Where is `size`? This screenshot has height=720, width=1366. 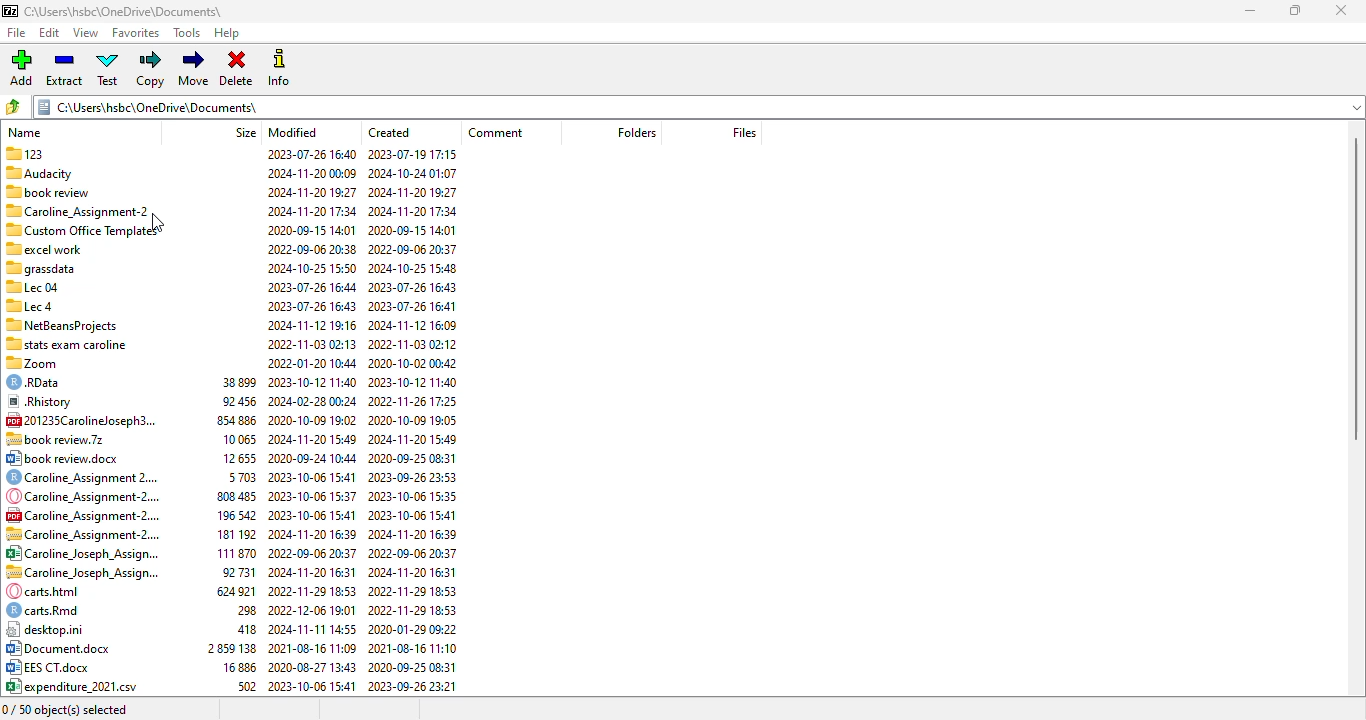
size is located at coordinates (246, 133).